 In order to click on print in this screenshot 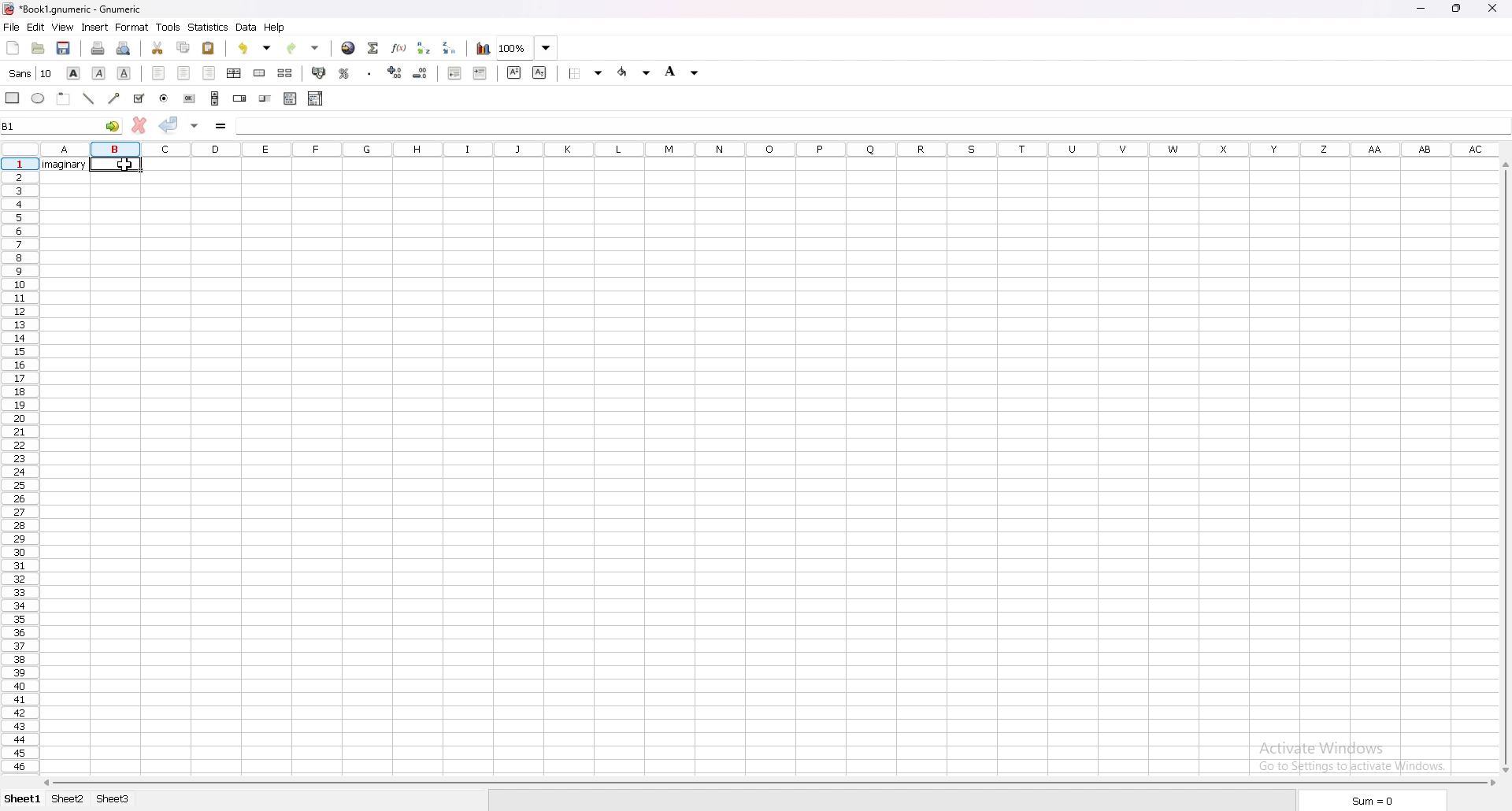, I will do `click(98, 48)`.